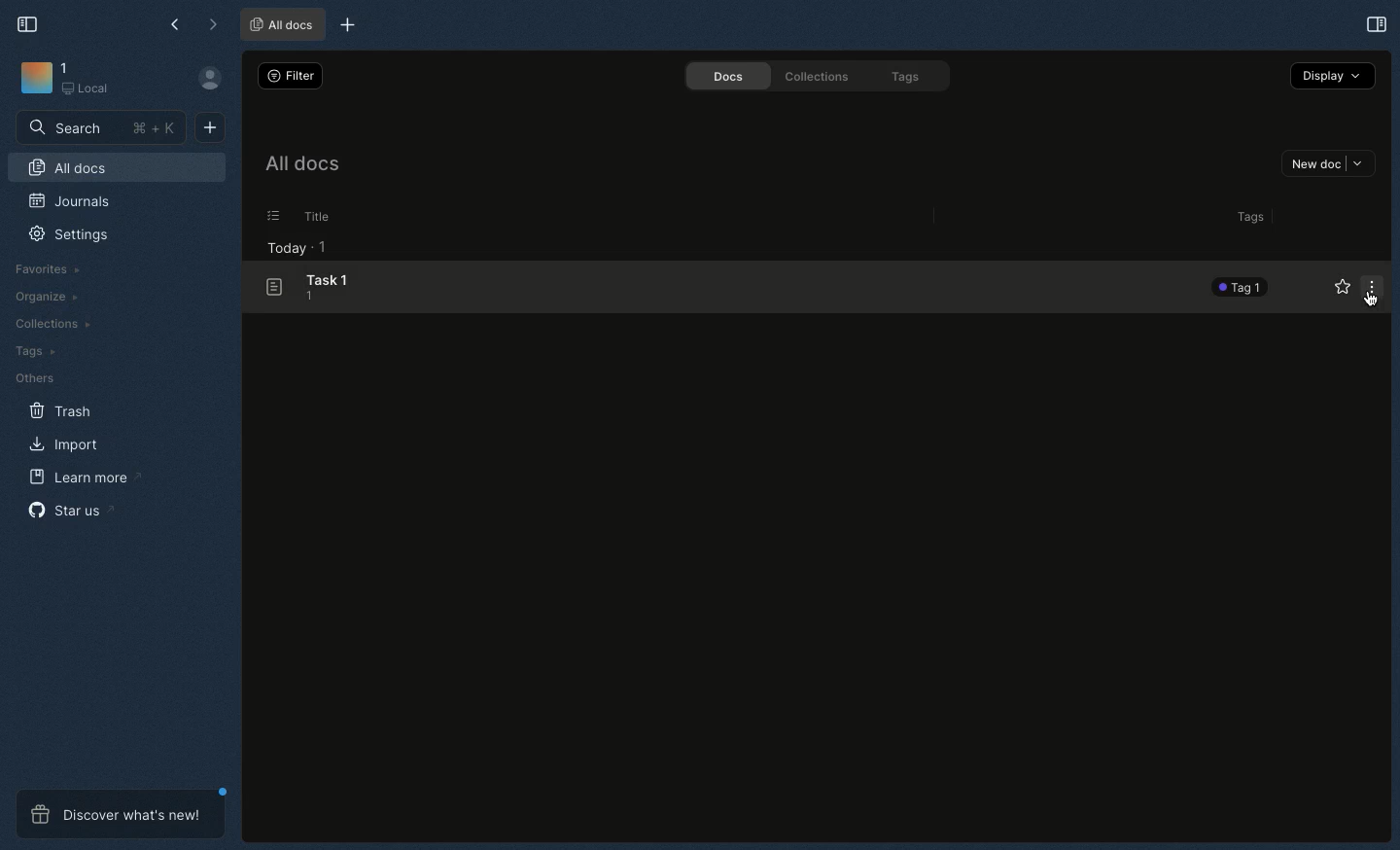 This screenshot has width=1400, height=850. What do you see at coordinates (813, 75) in the screenshot?
I see `Collections` at bounding box center [813, 75].